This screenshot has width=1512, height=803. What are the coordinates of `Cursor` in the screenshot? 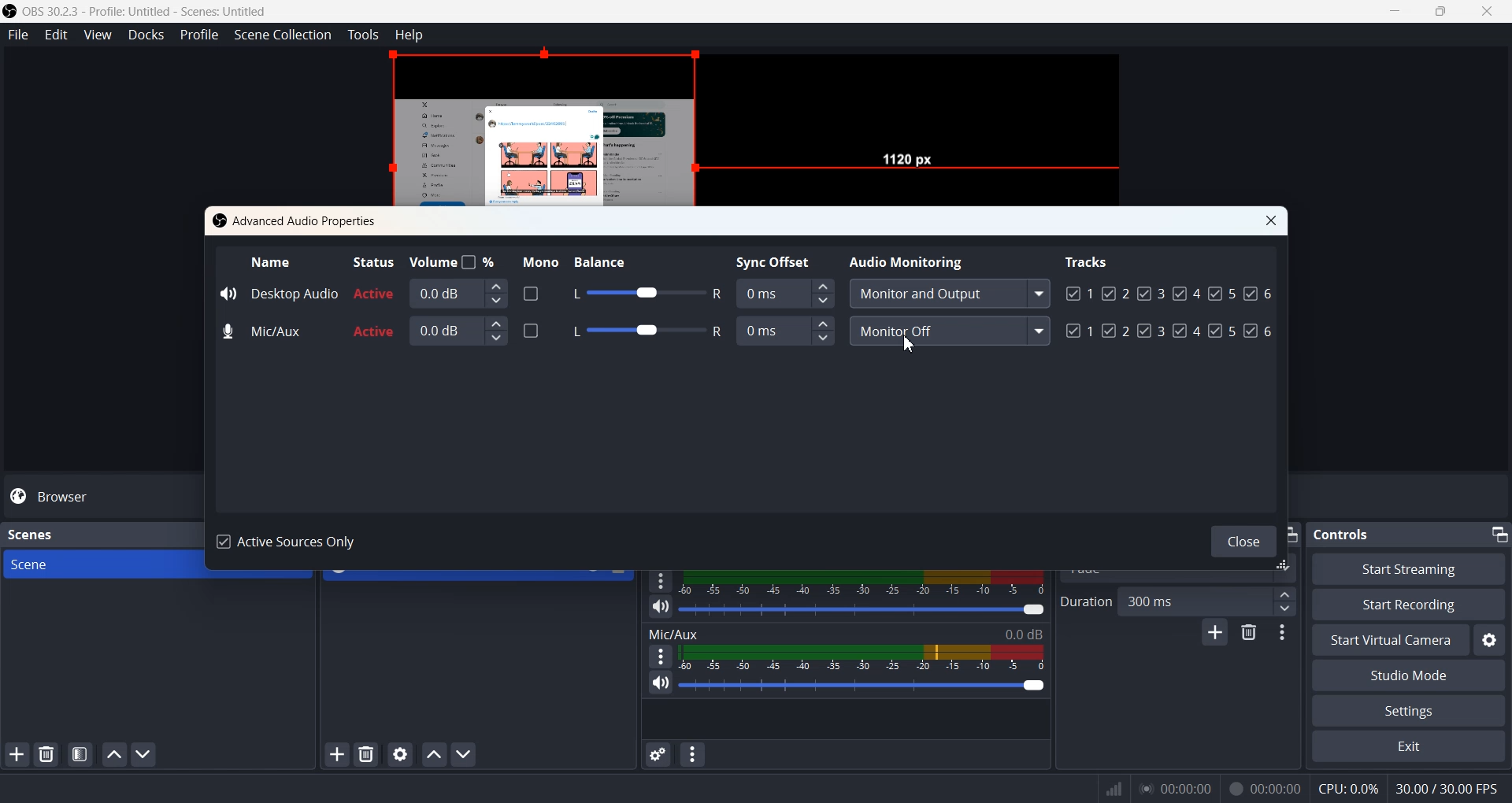 It's located at (910, 342).